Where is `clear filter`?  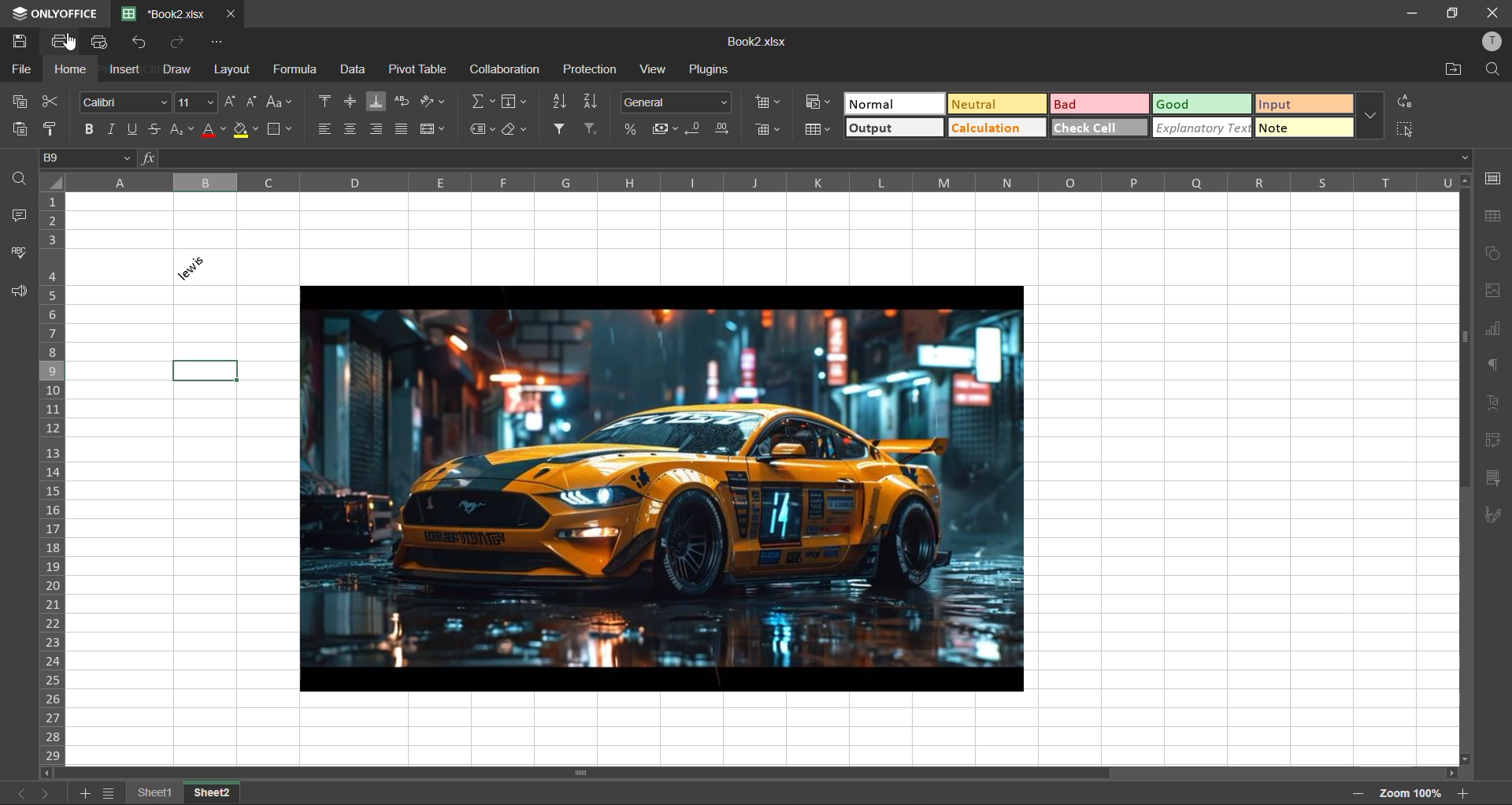 clear filter is located at coordinates (591, 130).